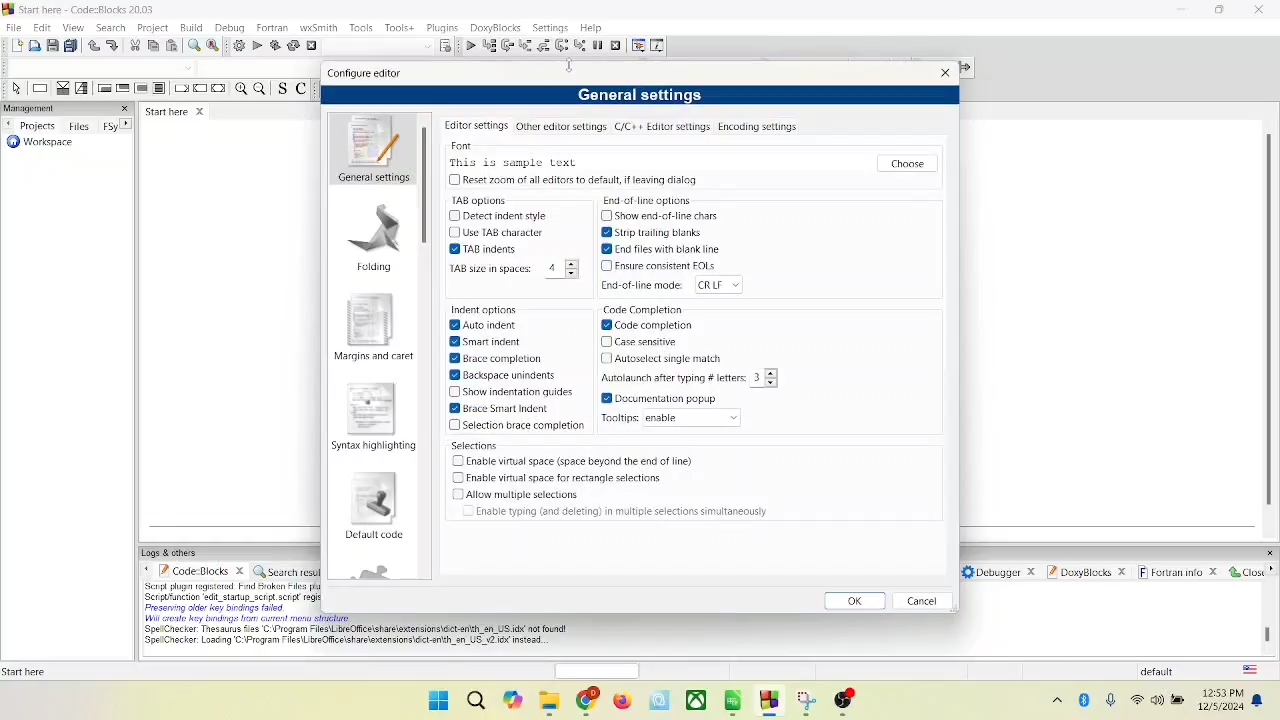 The width and height of the screenshot is (1280, 720). Describe the element at coordinates (509, 271) in the screenshot. I see `TAB size` at that location.